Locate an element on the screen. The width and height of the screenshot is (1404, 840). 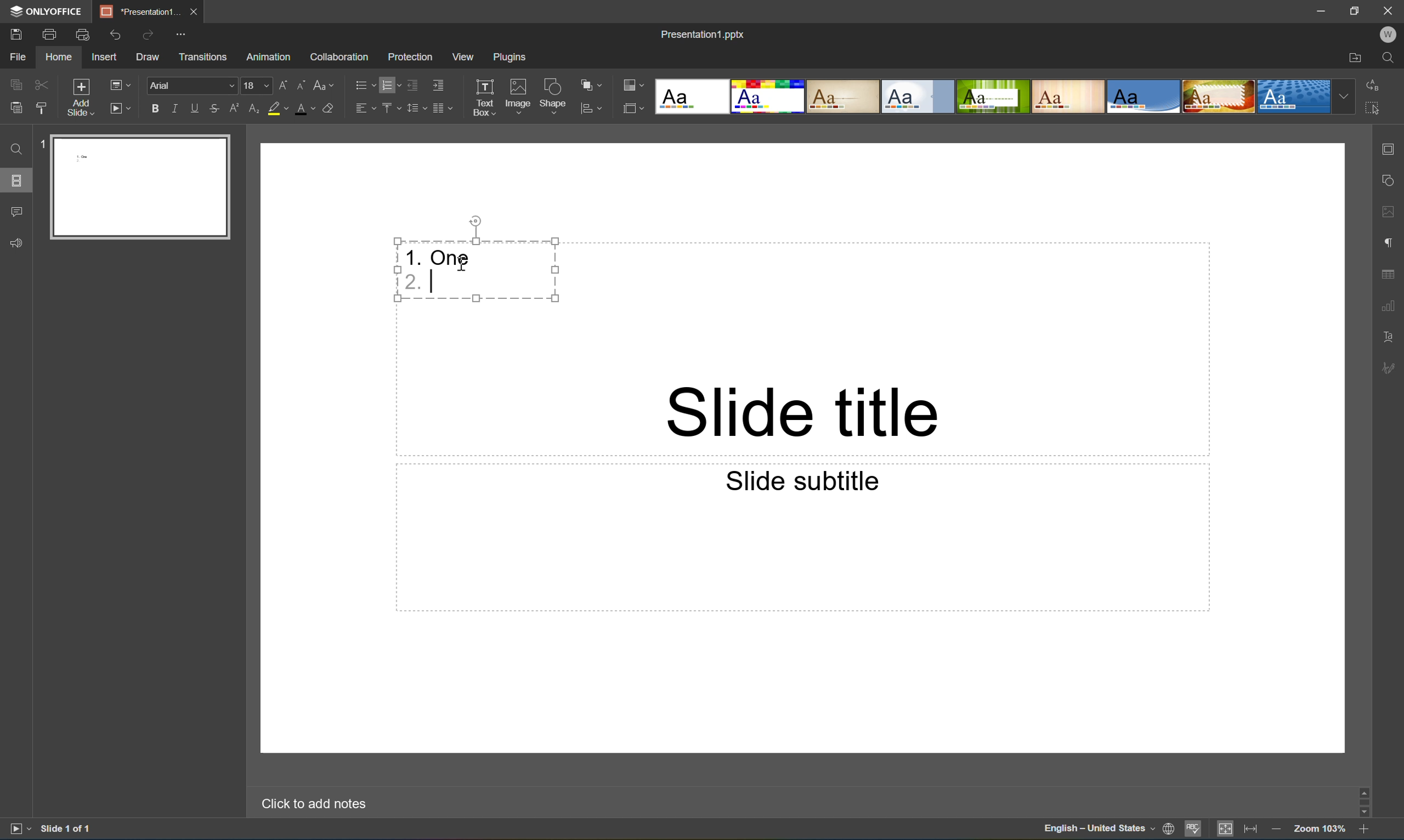
Superscript is located at coordinates (237, 109).